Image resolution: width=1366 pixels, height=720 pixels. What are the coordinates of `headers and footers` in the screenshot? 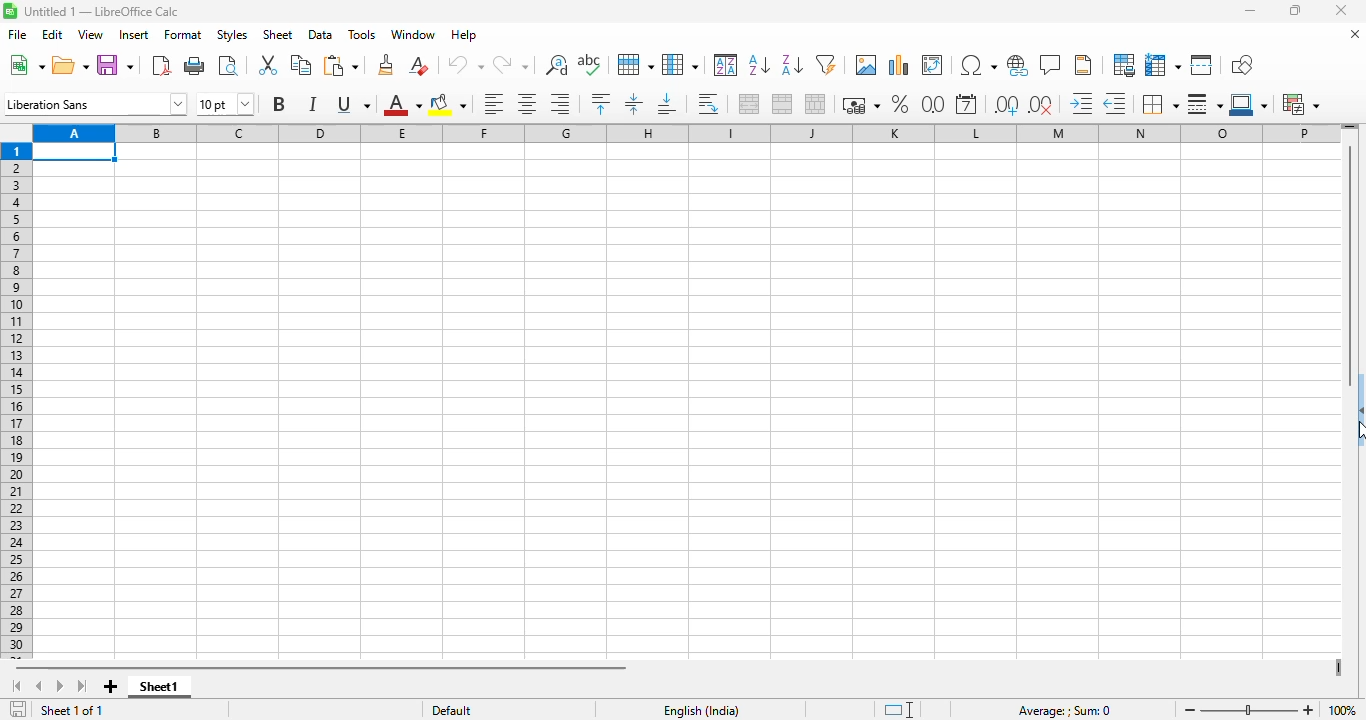 It's located at (1083, 65).